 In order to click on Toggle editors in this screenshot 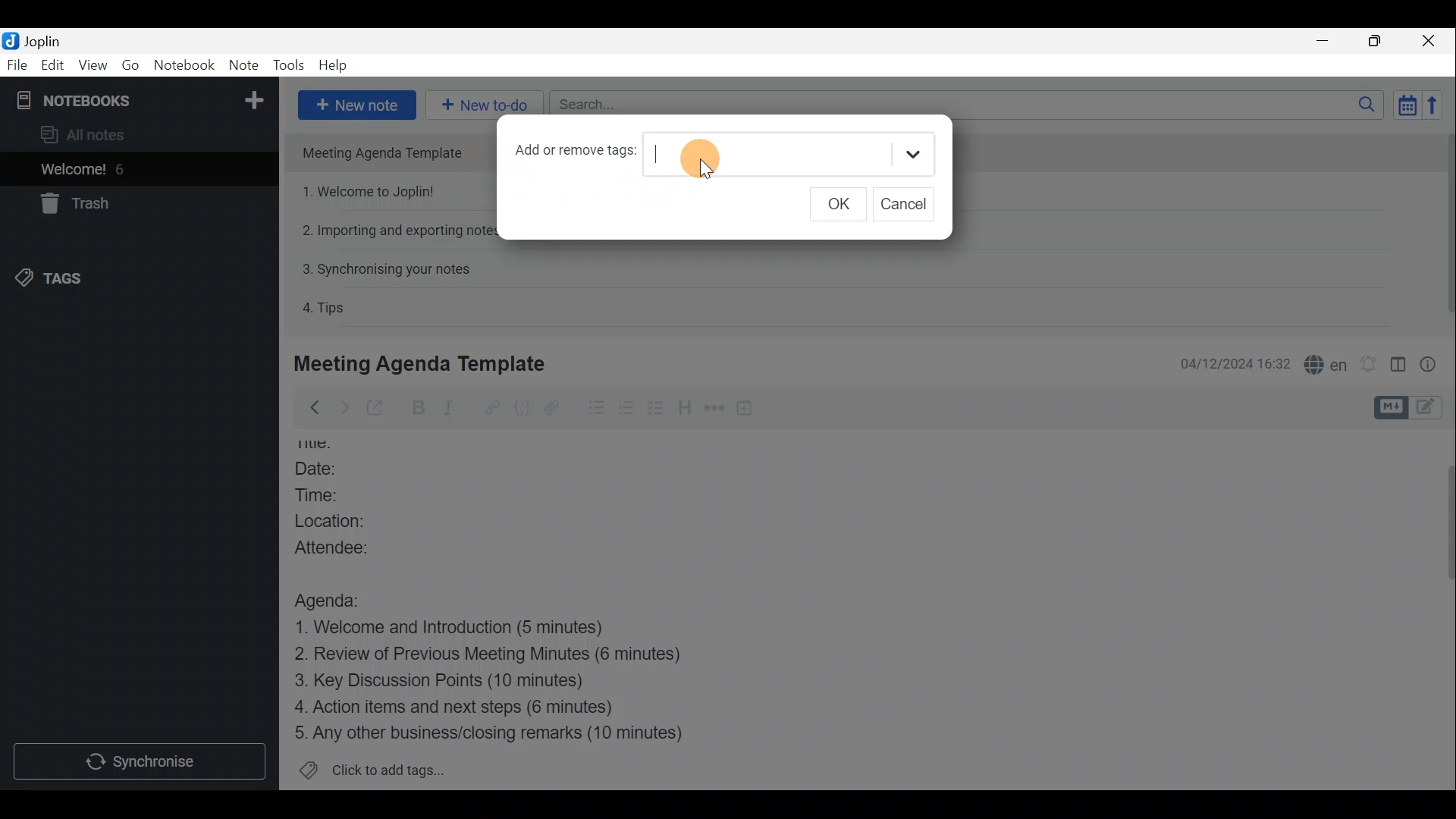, I will do `click(1429, 409)`.